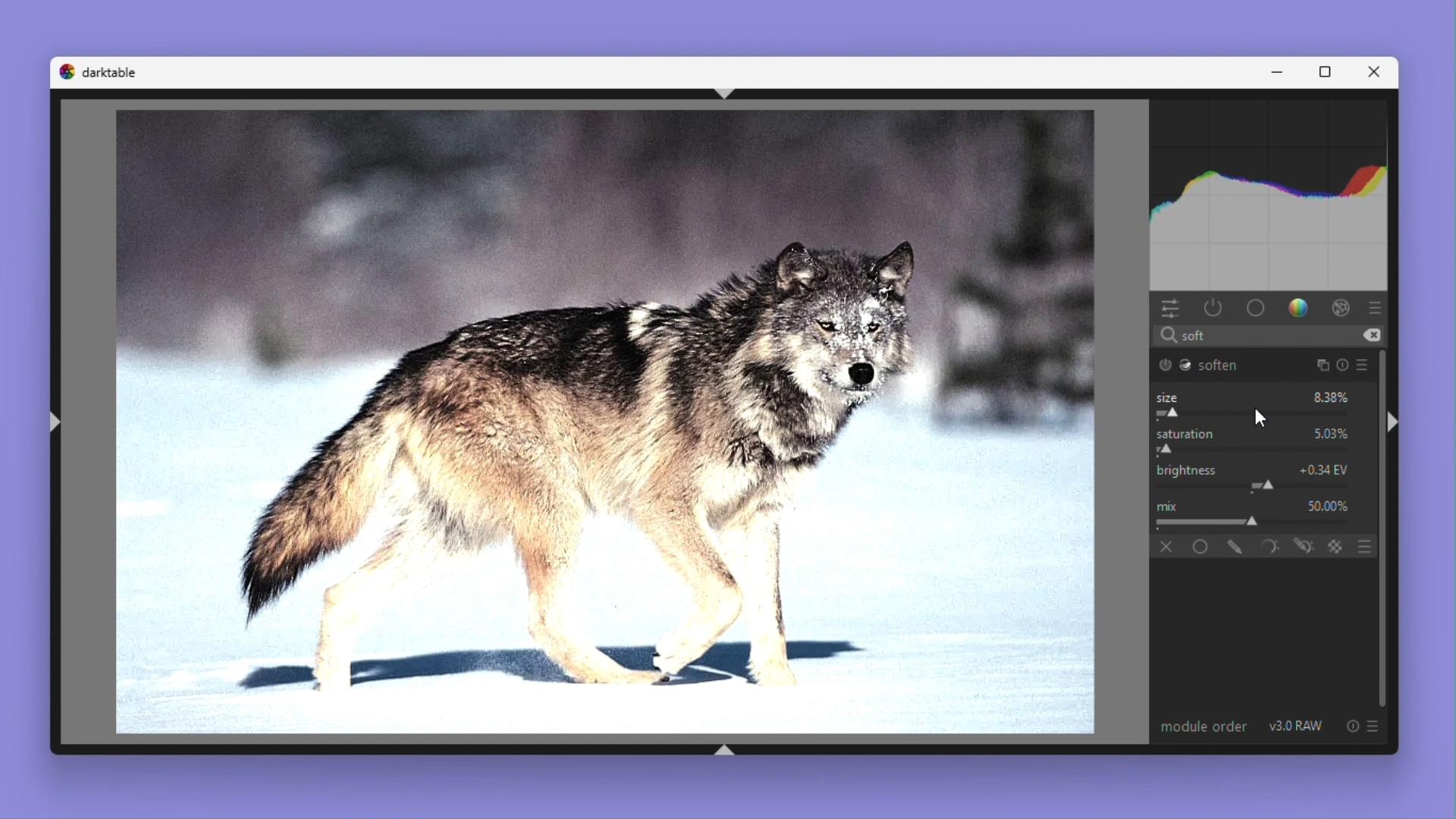 The image size is (1456, 819). I want to click on clear, so click(1372, 335).